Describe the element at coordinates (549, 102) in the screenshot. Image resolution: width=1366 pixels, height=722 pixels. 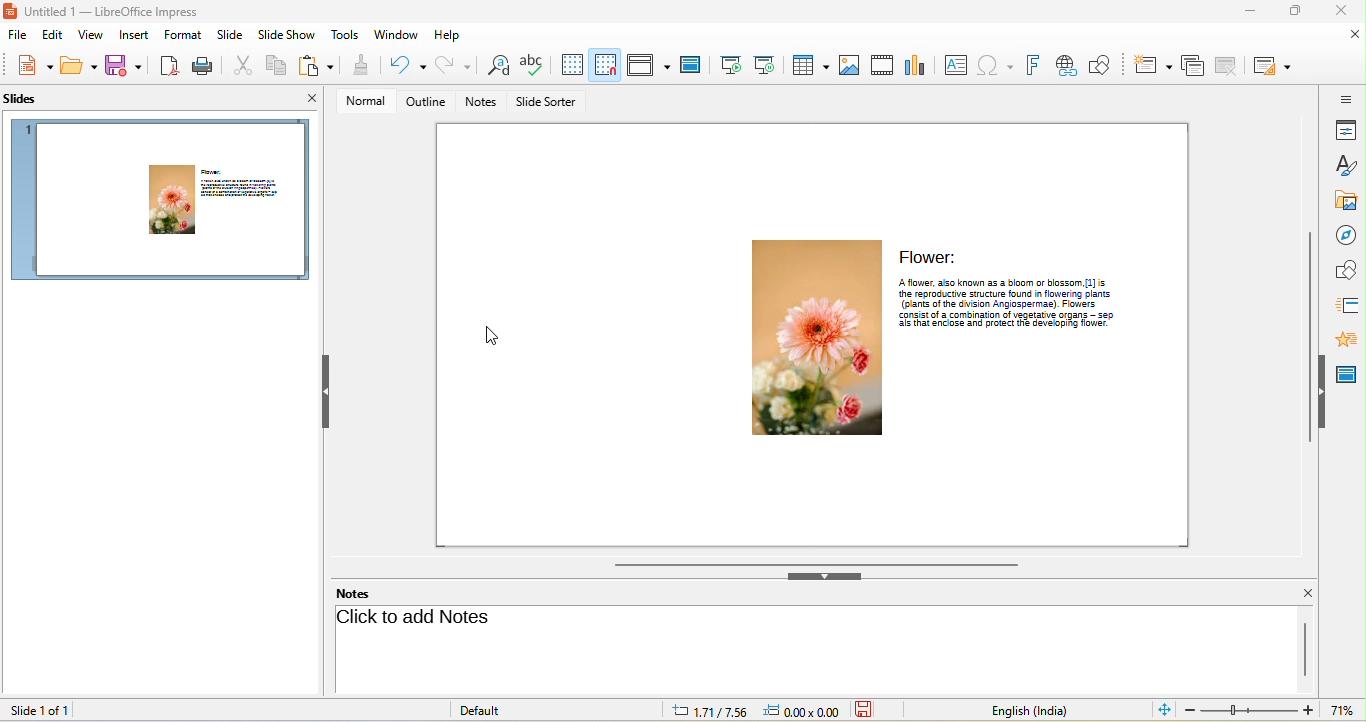
I see `slide sorter` at that location.